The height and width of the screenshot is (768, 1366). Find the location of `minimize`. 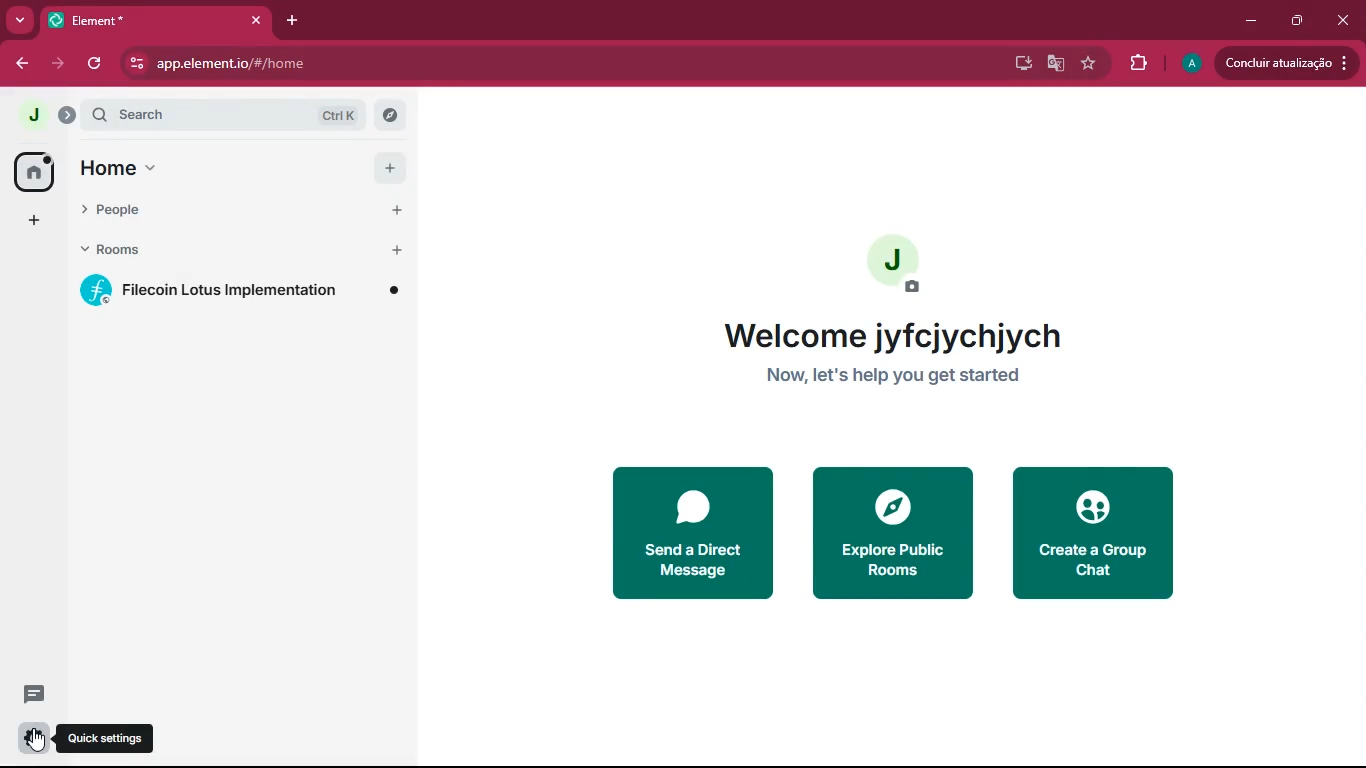

minimize is located at coordinates (1254, 21).